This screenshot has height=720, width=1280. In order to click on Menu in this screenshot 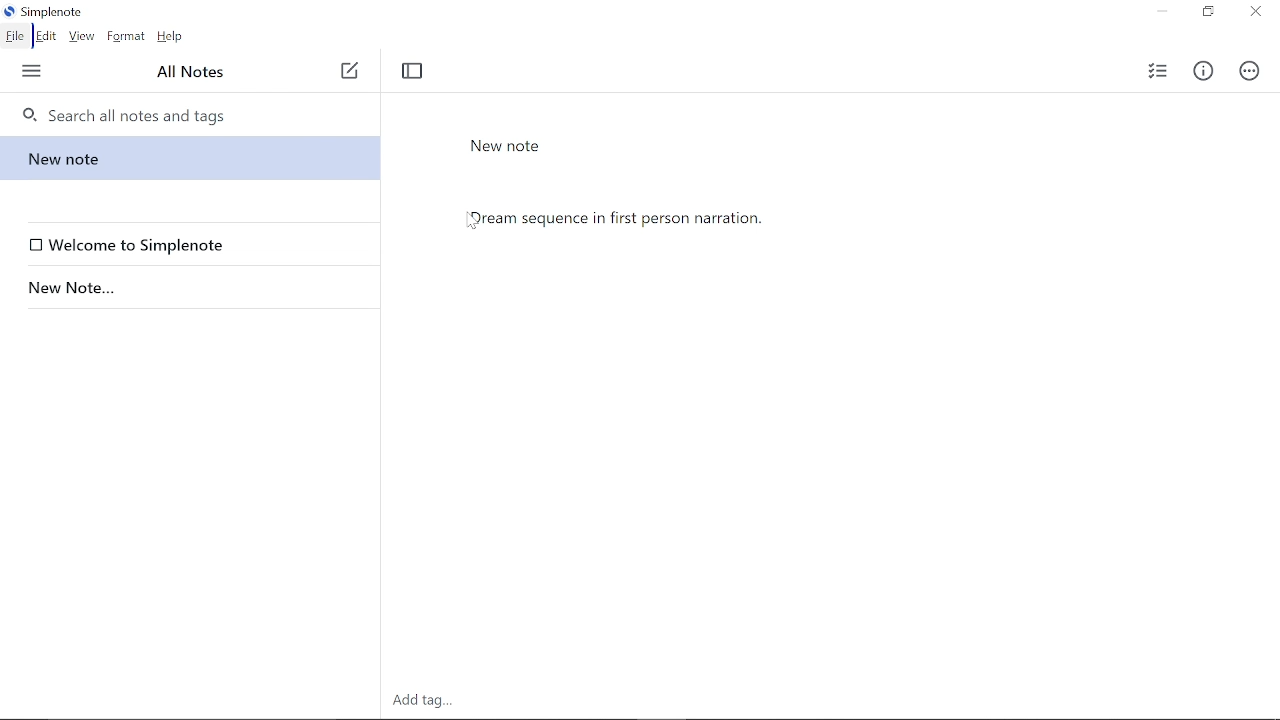, I will do `click(31, 73)`.